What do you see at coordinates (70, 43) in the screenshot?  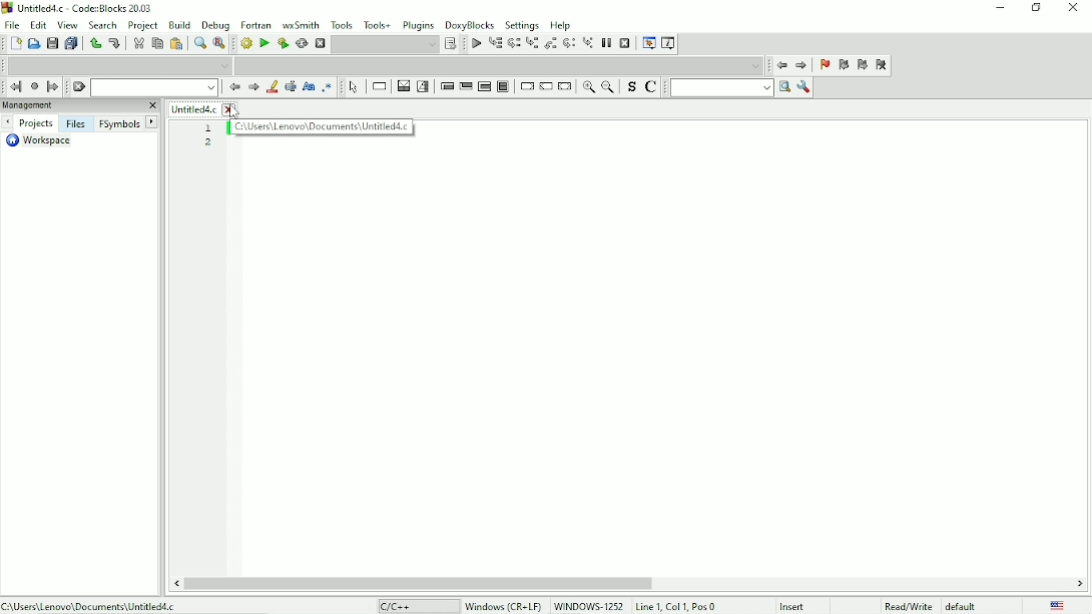 I see `save everything` at bounding box center [70, 43].